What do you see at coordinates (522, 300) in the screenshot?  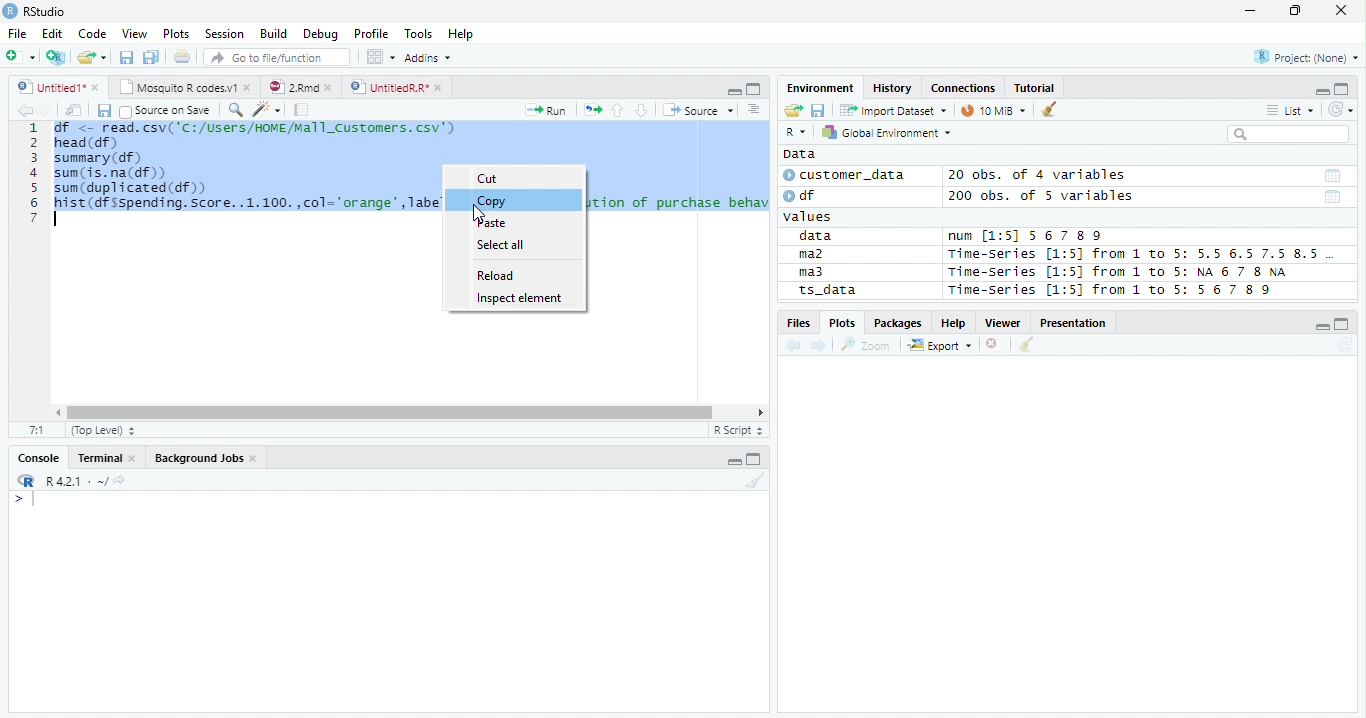 I see `Inspect element` at bounding box center [522, 300].